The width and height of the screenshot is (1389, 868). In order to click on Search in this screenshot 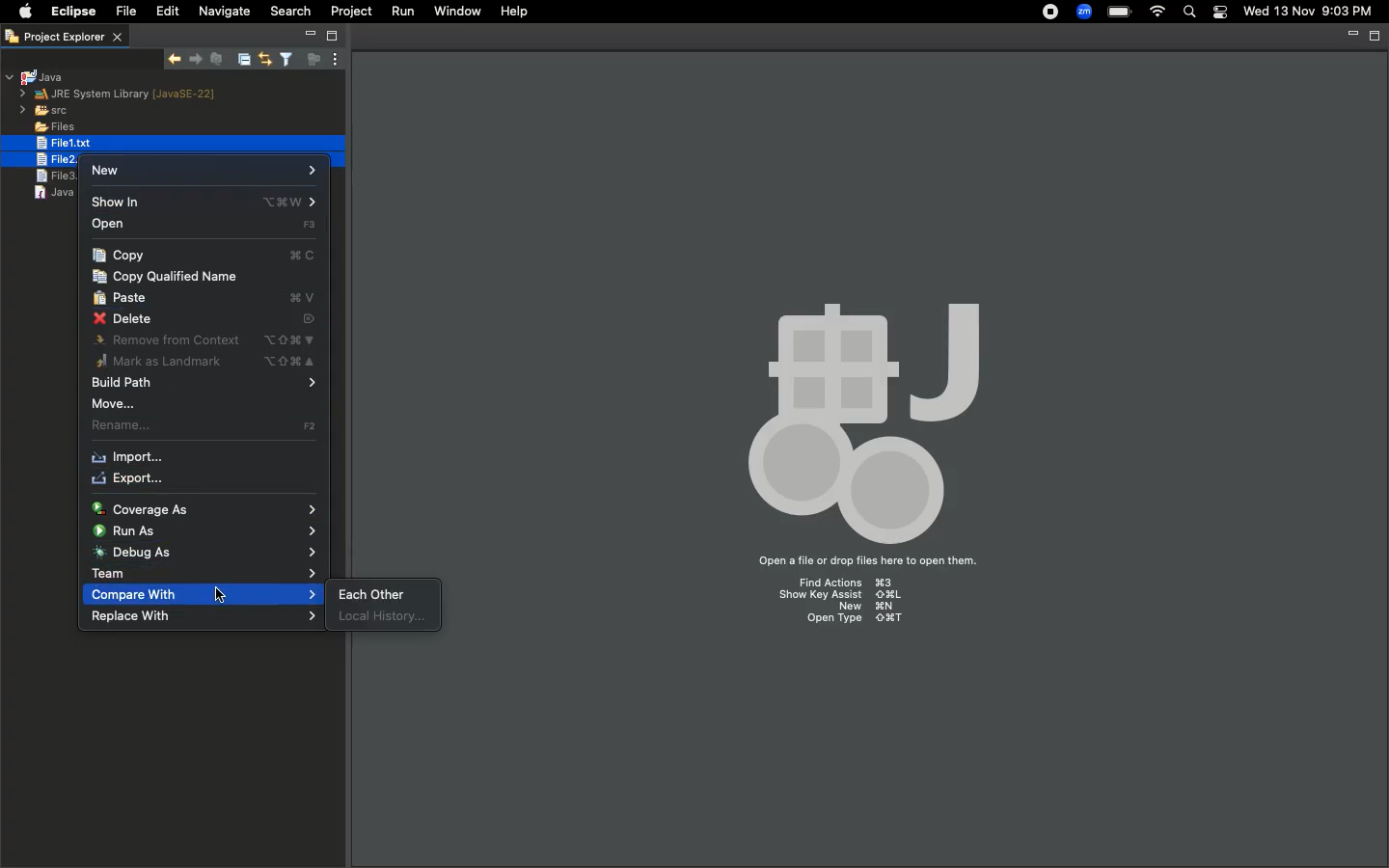, I will do `click(291, 11)`.